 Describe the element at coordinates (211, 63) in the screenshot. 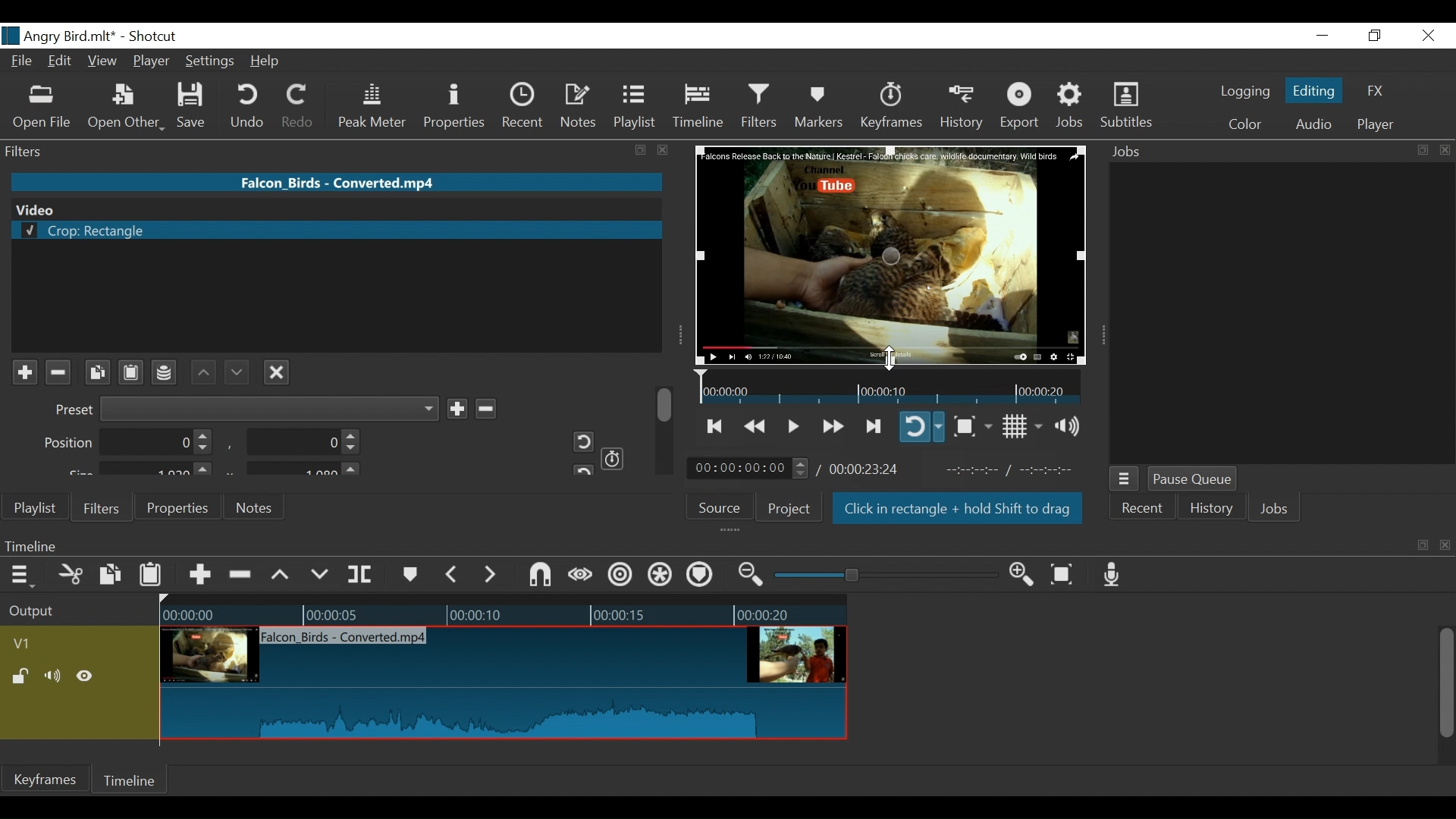

I see `Settings` at that location.